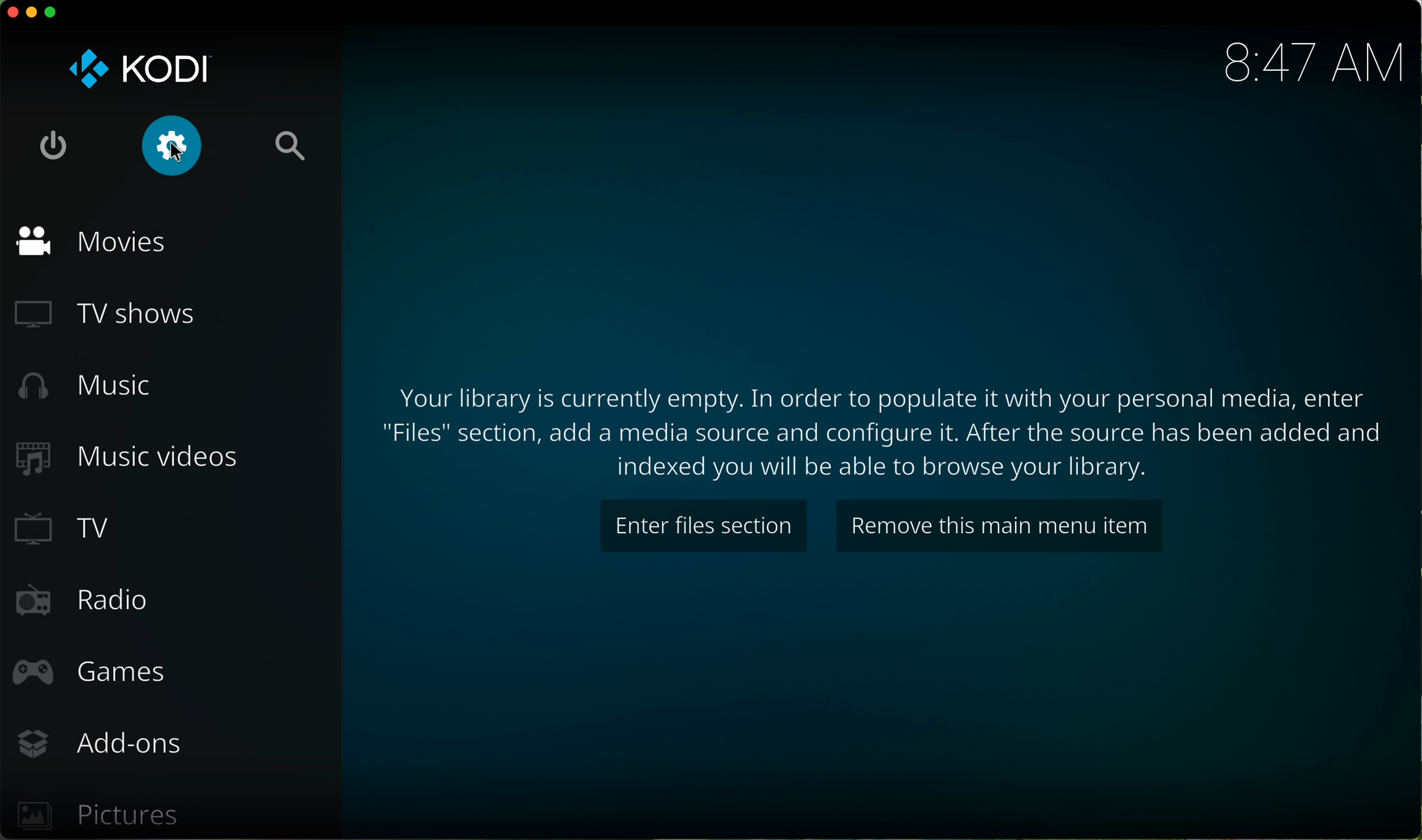 This screenshot has width=1422, height=840. What do you see at coordinates (10, 12) in the screenshot?
I see `close` at bounding box center [10, 12].